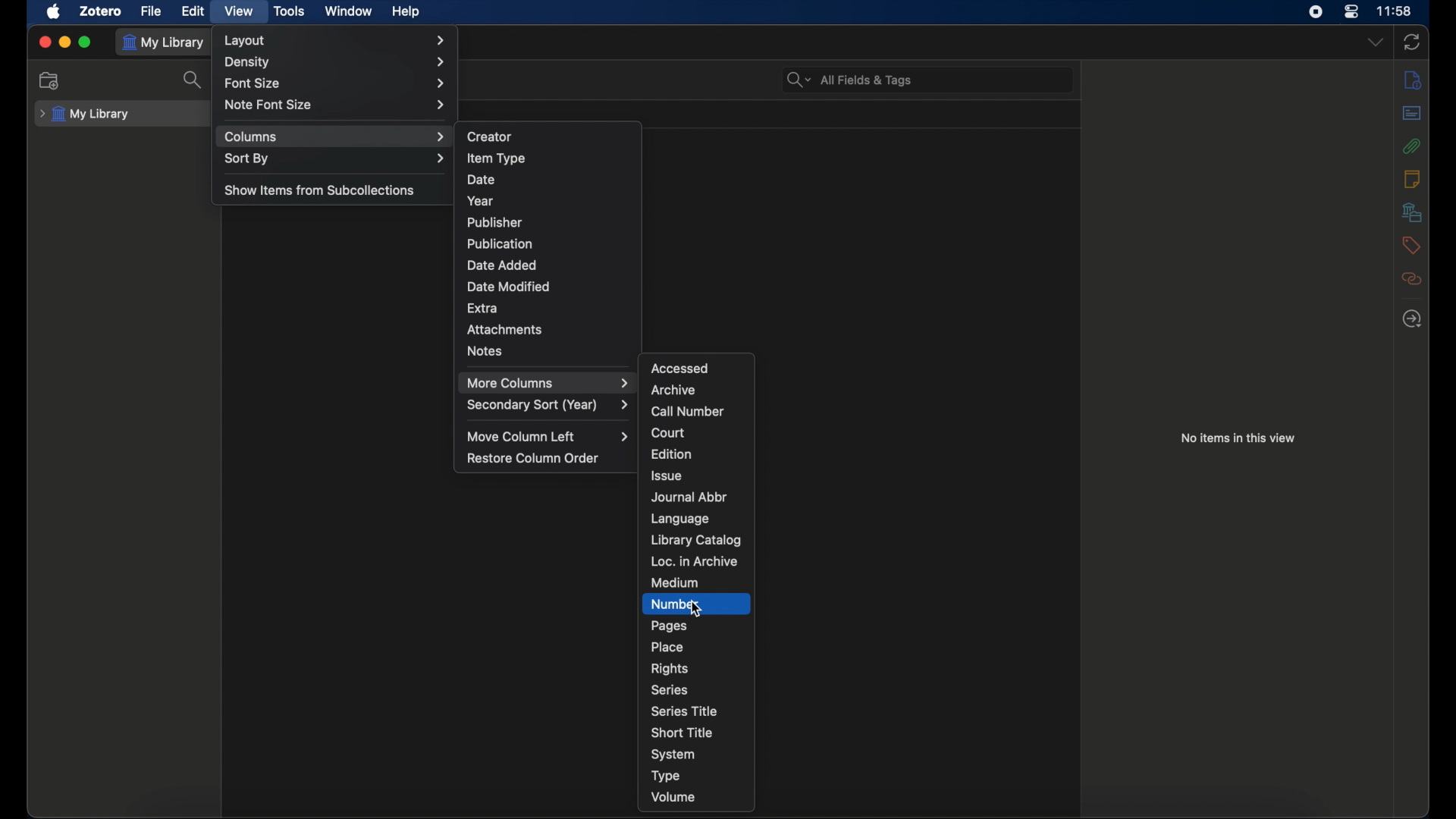 This screenshot has width=1456, height=819. I want to click on publisher, so click(496, 222).